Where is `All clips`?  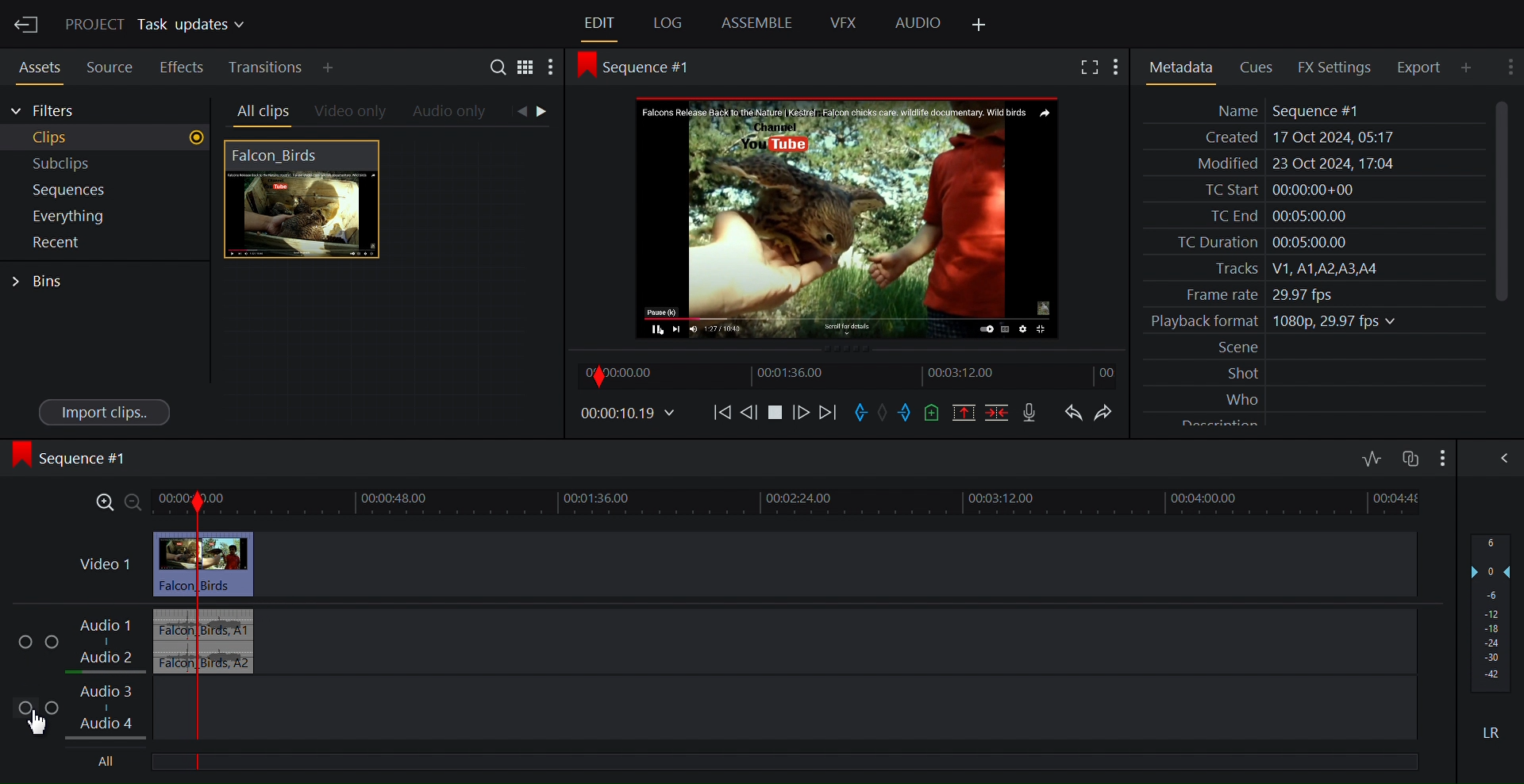
All clips is located at coordinates (260, 112).